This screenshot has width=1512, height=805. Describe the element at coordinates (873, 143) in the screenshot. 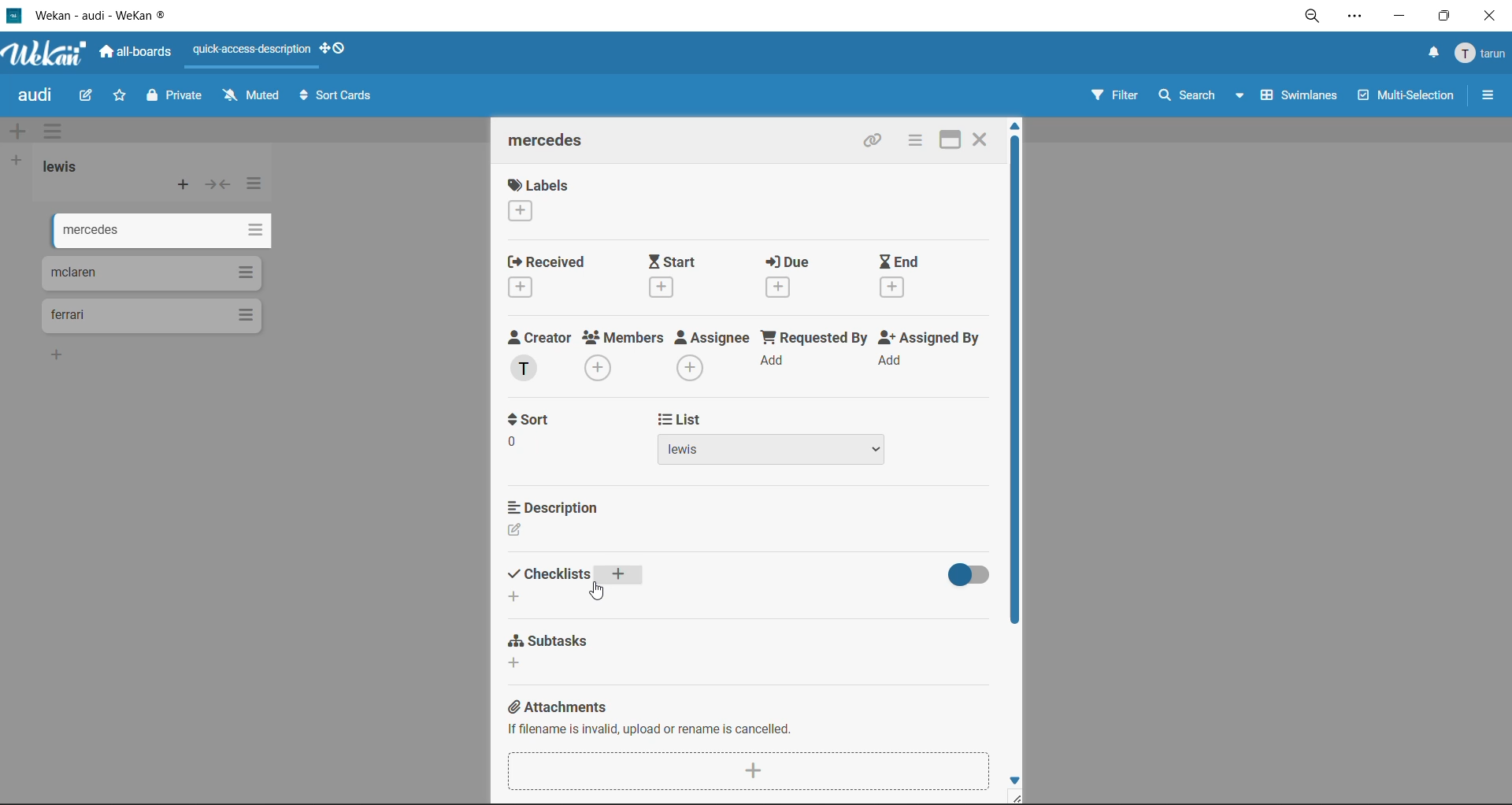

I see `copy` at that location.